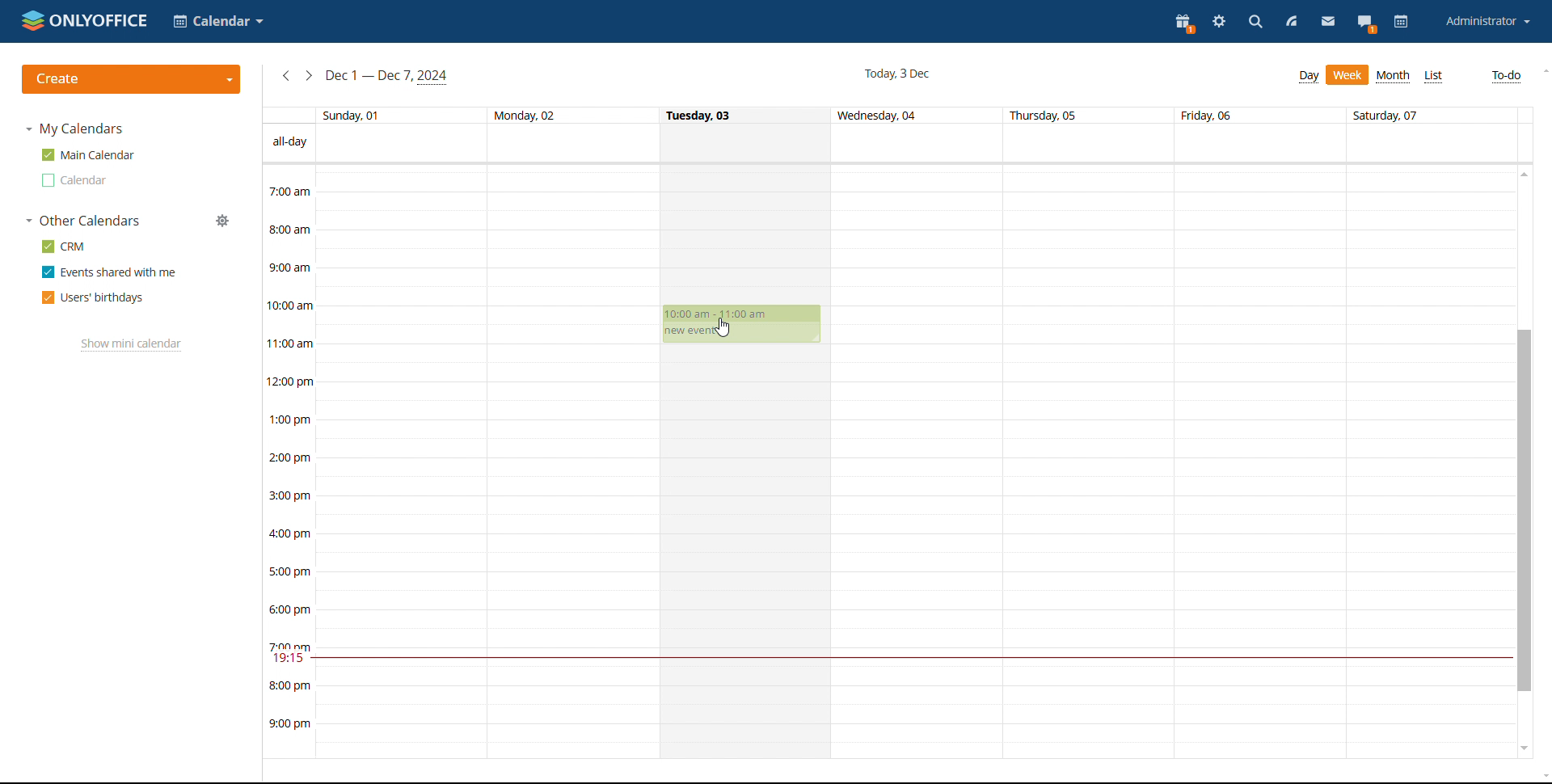 The height and width of the screenshot is (784, 1552). What do you see at coordinates (1221, 22) in the screenshot?
I see `settings` at bounding box center [1221, 22].